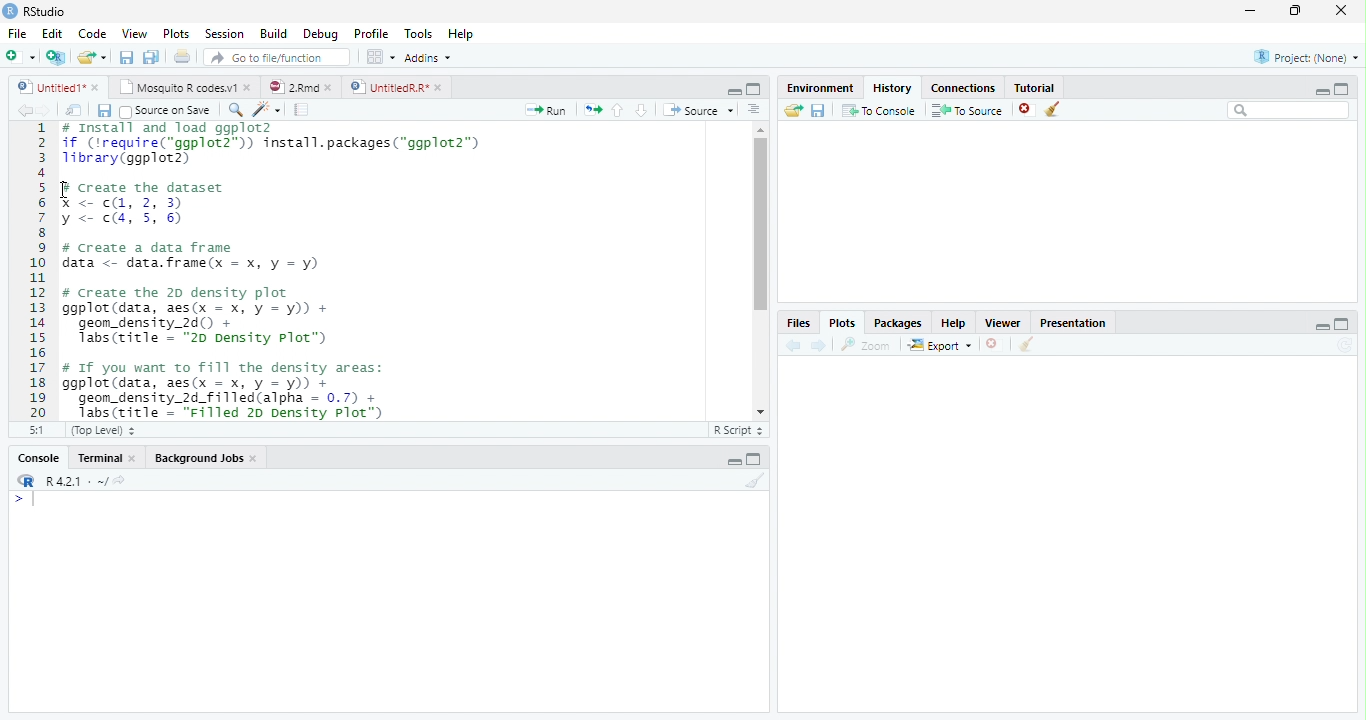 The width and height of the screenshot is (1366, 720). Describe the element at coordinates (841, 322) in the screenshot. I see `Plots` at that location.